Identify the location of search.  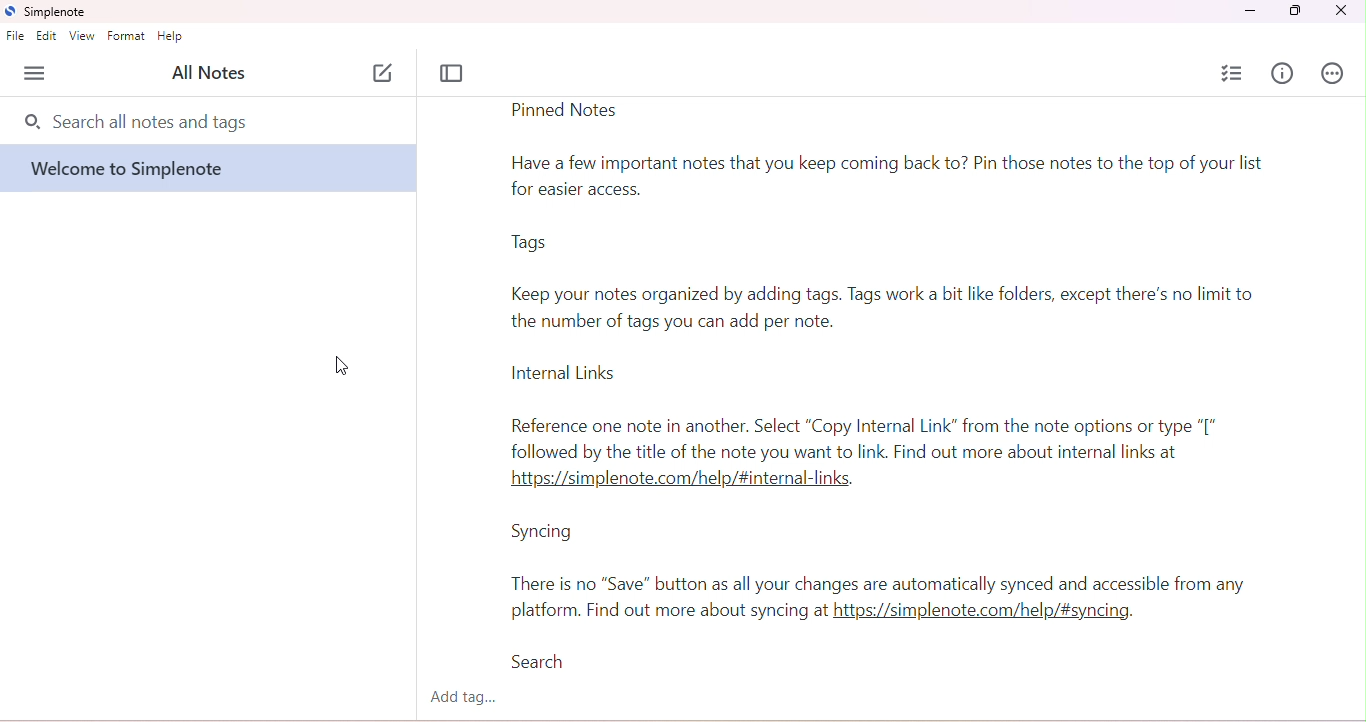
(547, 663).